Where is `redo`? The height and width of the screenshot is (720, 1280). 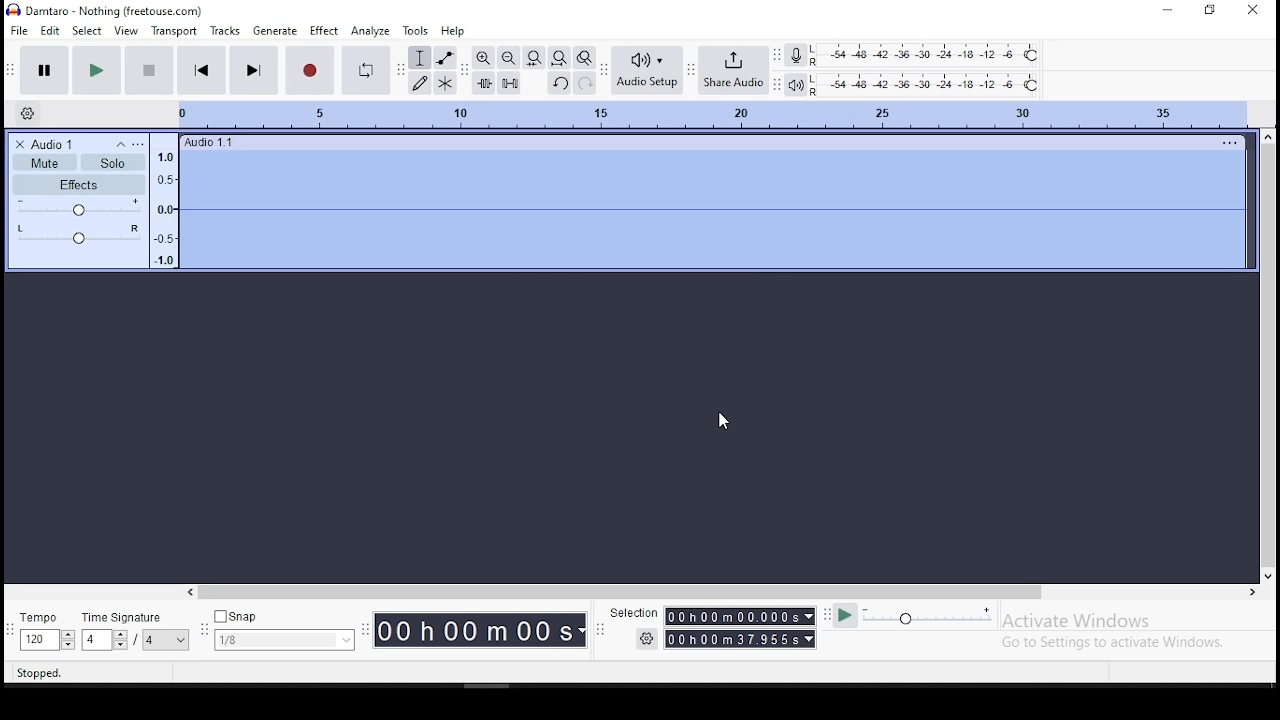
redo is located at coordinates (585, 83).